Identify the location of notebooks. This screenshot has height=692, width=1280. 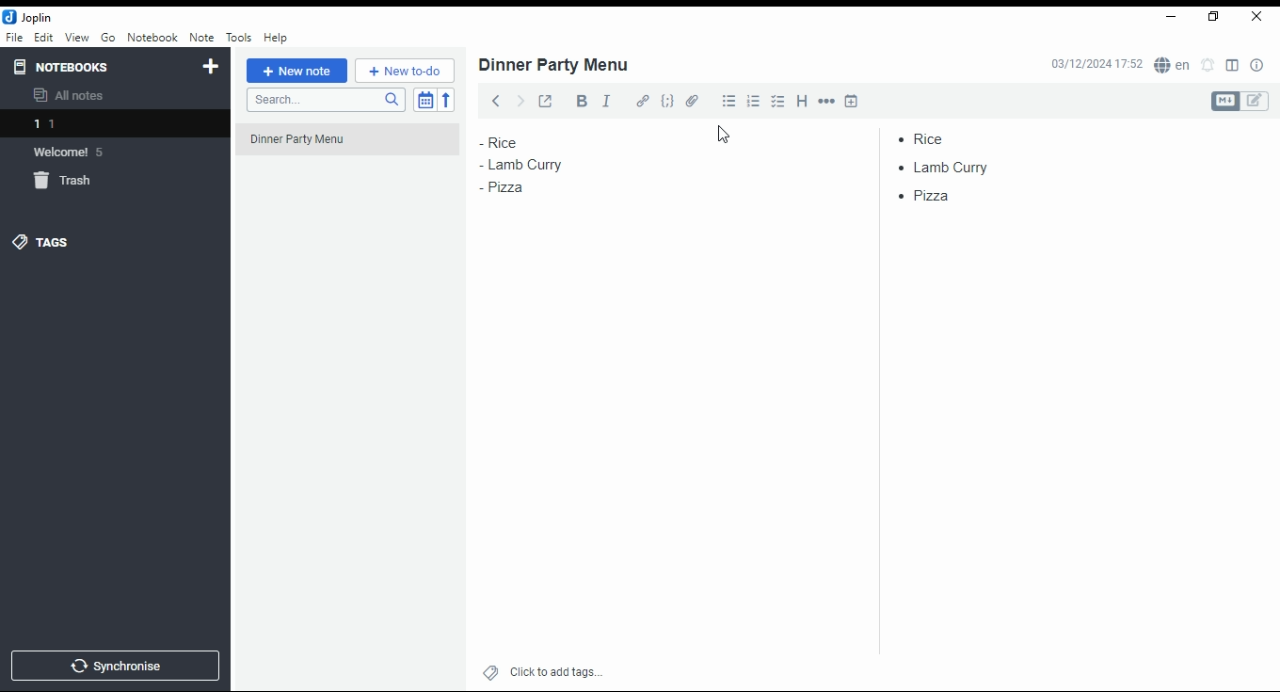
(66, 66).